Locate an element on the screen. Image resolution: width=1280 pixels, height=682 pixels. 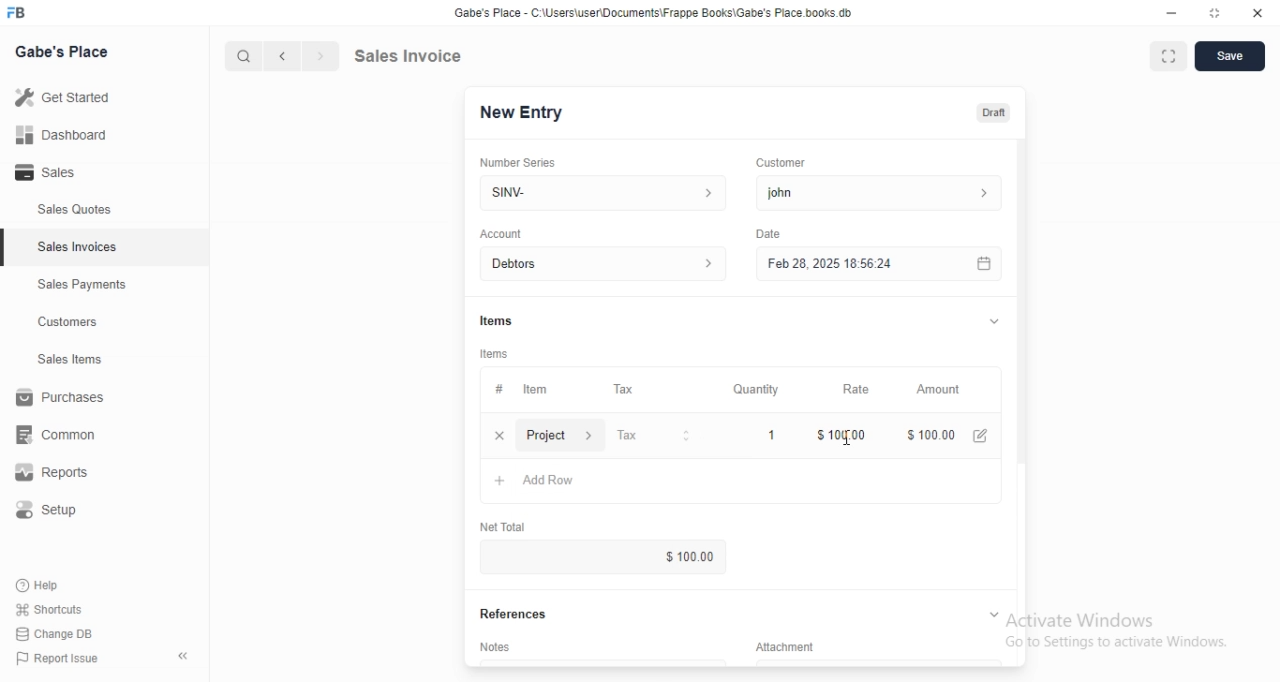
Sales Invoice is located at coordinates (419, 55).